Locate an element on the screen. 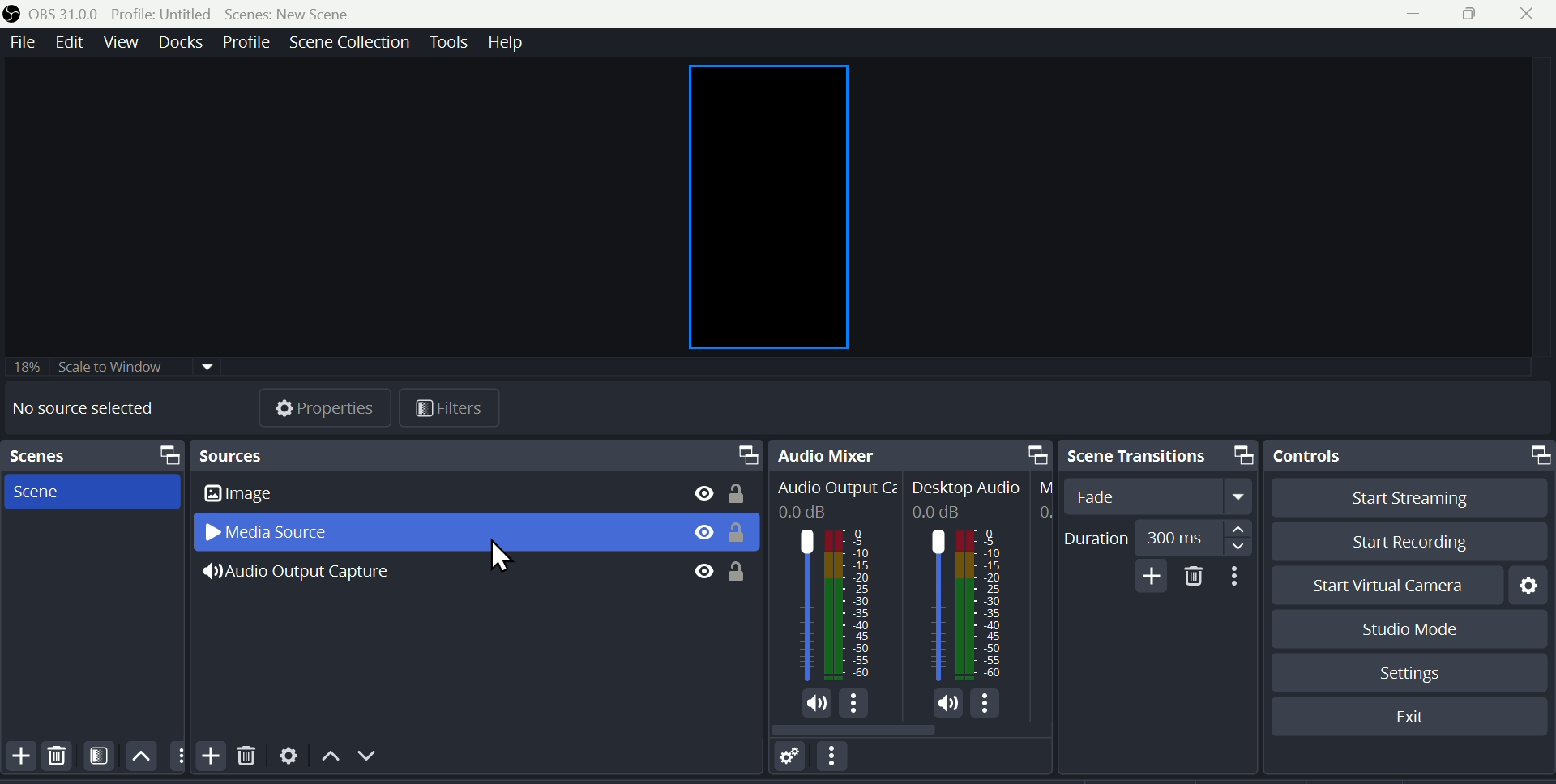 This screenshot has height=784, width=1556. Delete is located at coordinates (62, 759).